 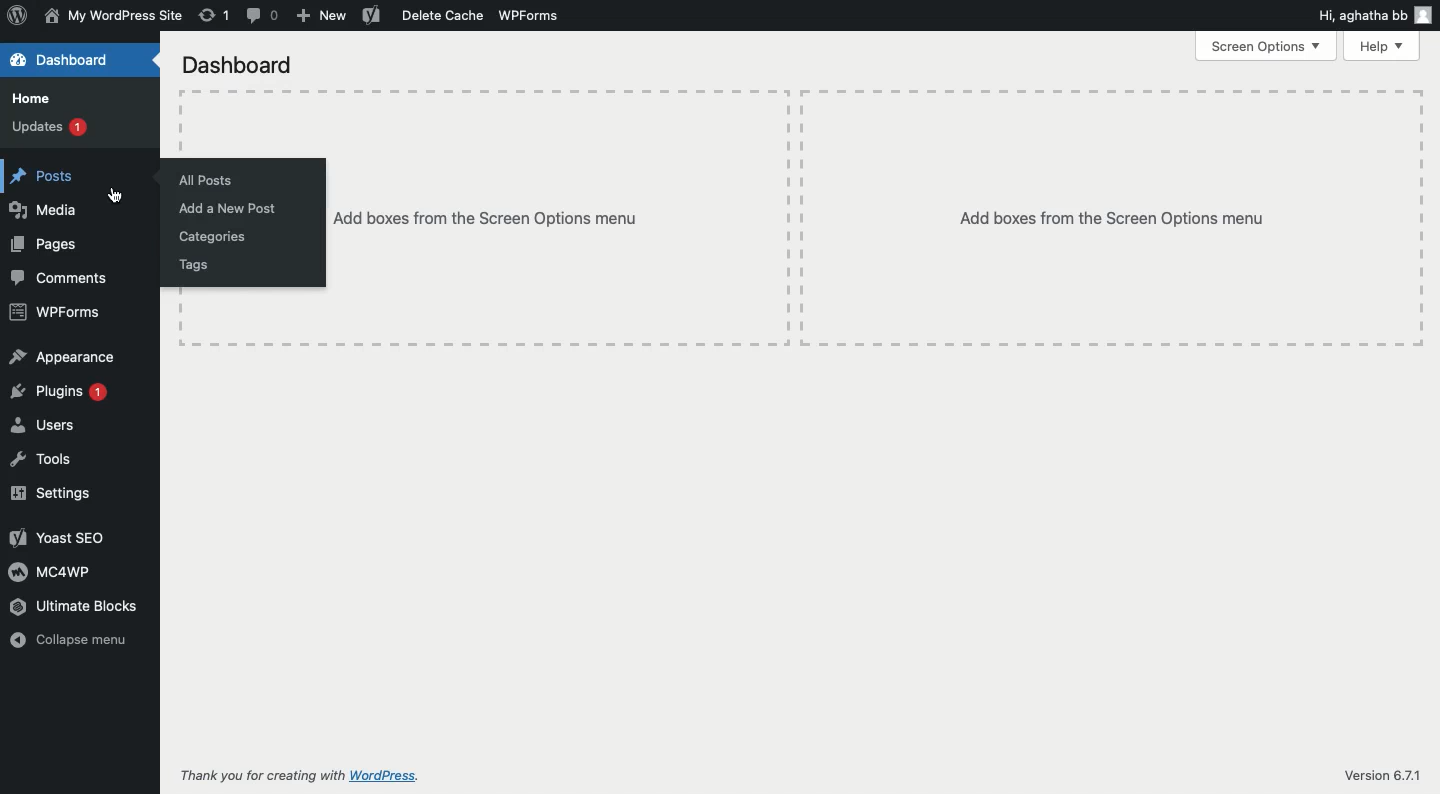 I want to click on Categories, so click(x=215, y=238).